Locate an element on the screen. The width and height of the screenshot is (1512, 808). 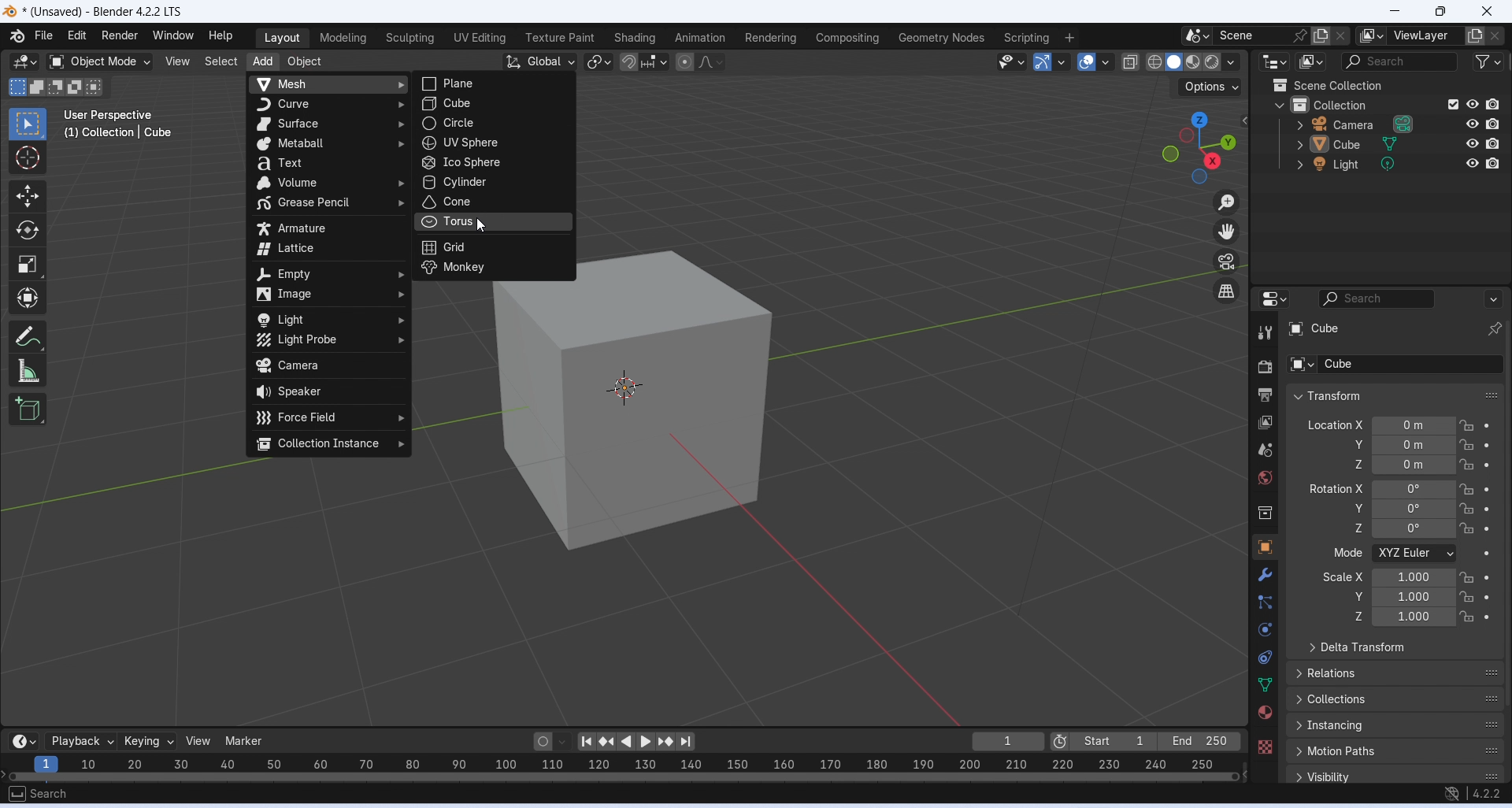
armature is located at coordinates (328, 228).